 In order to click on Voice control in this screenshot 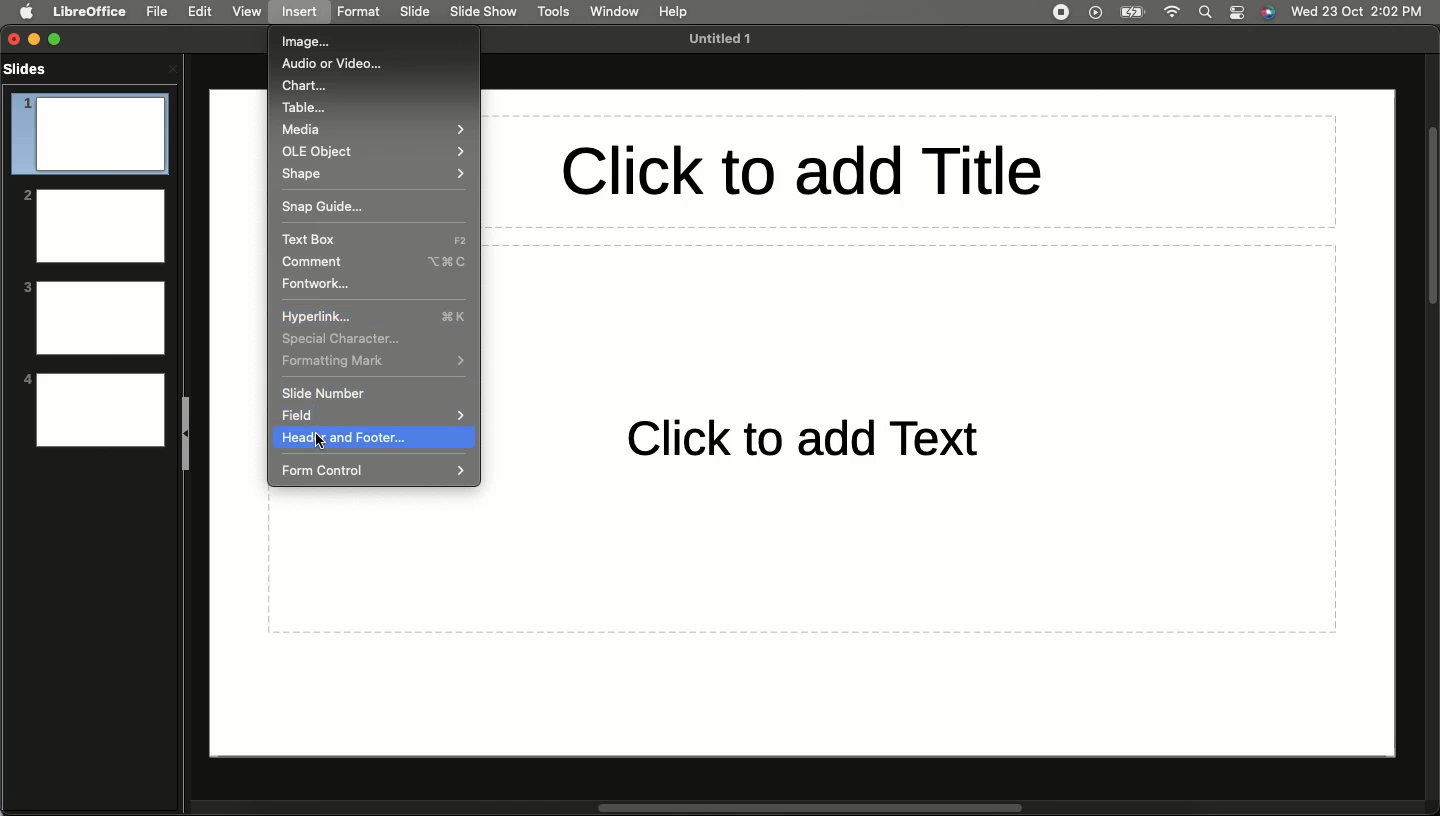, I will do `click(1268, 13)`.